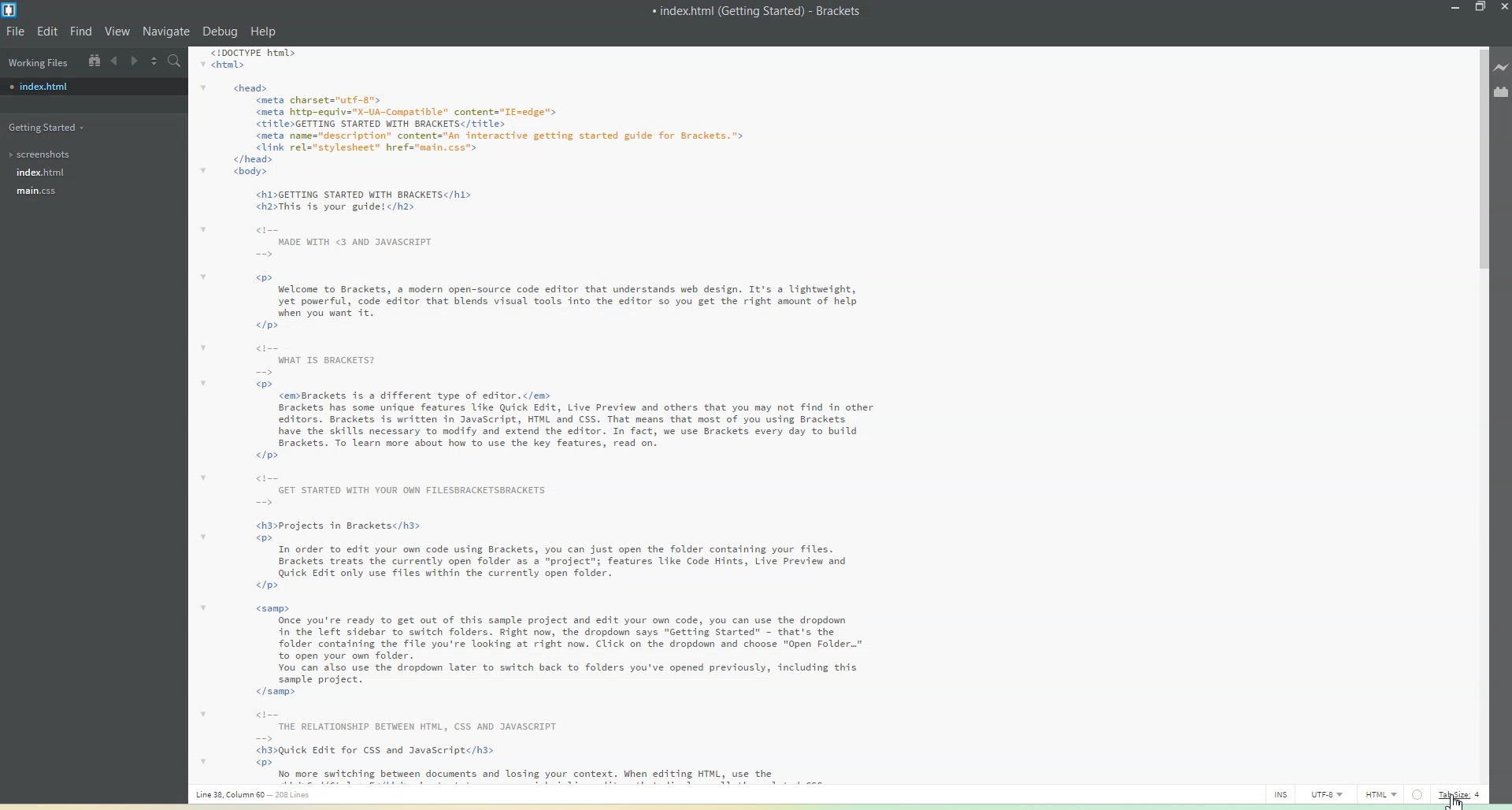 Image resolution: width=1512 pixels, height=810 pixels. What do you see at coordinates (1457, 801) in the screenshot?
I see `cursor` at bounding box center [1457, 801].